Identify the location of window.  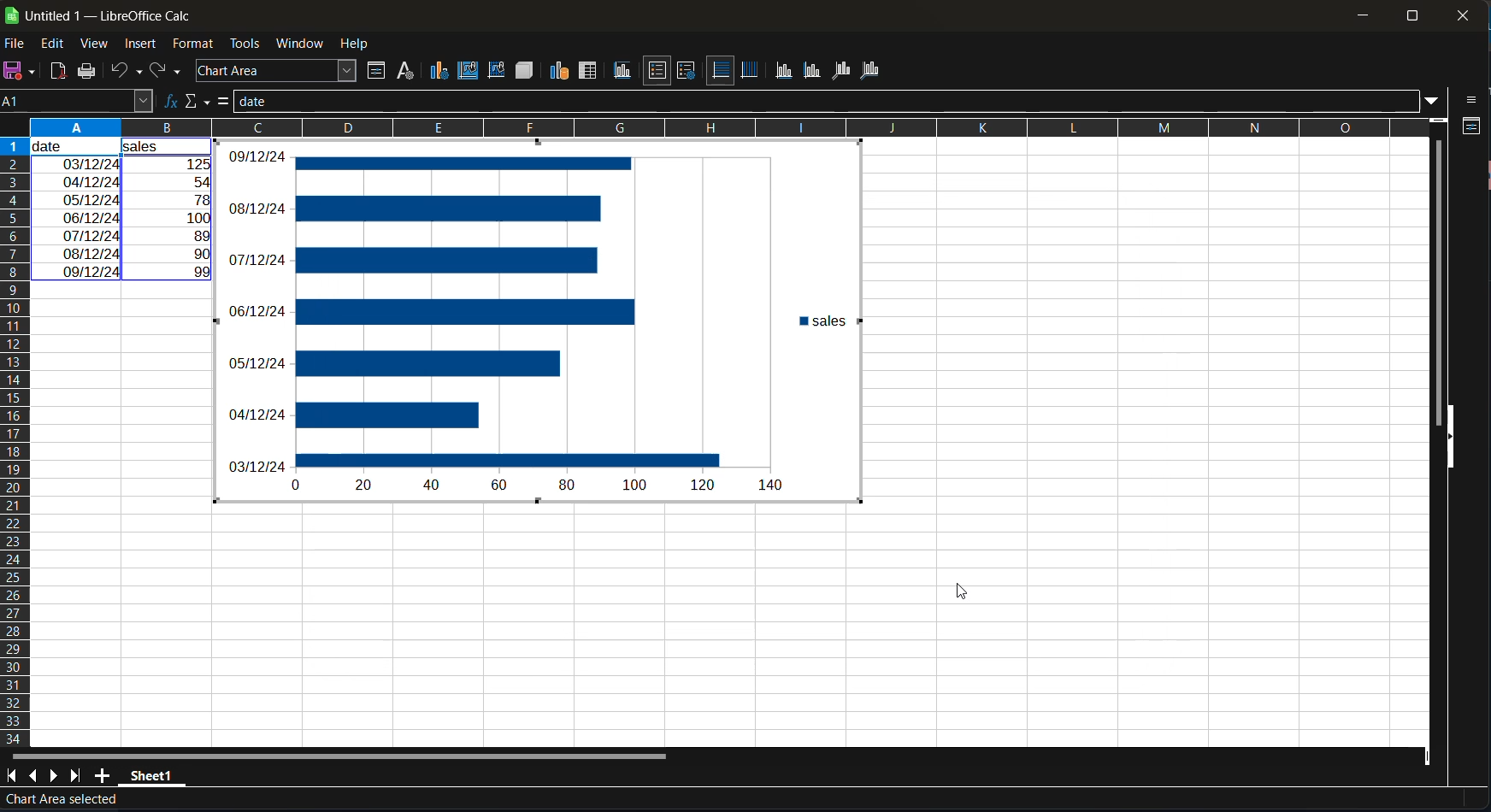
(301, 43).